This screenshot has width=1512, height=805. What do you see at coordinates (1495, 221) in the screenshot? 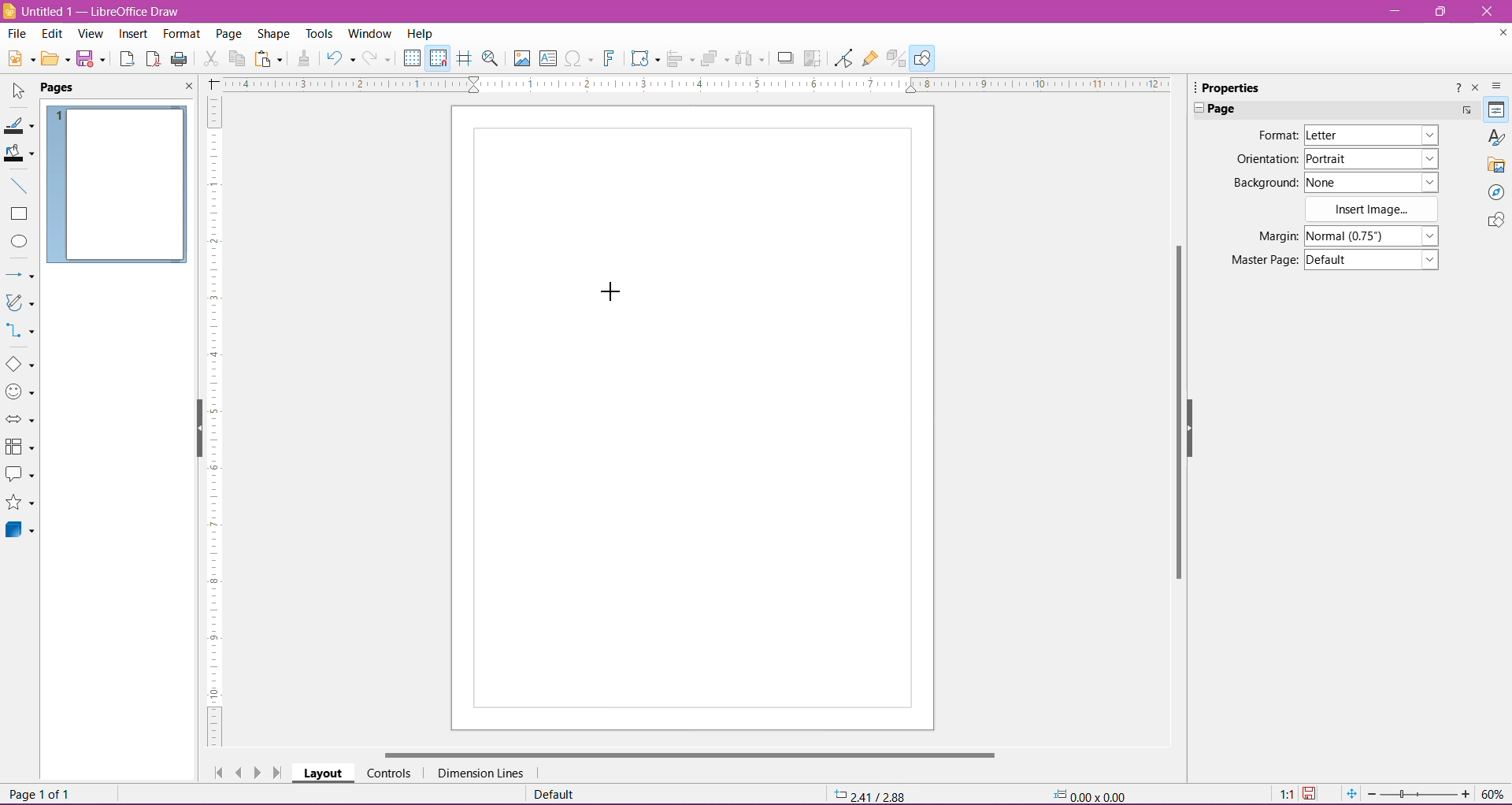
I see `Shapes` at bounding box center [1495, 221].